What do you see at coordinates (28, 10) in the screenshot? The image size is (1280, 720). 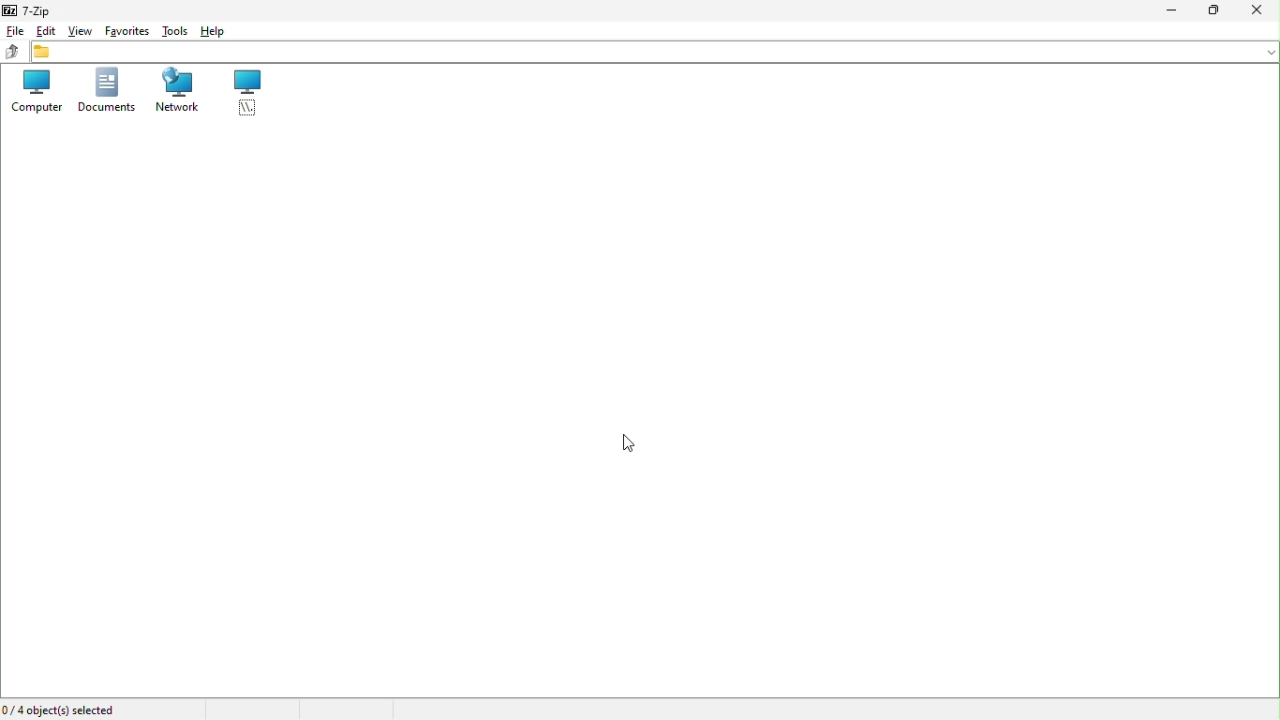 I see `7 zip` at bounding box center [28, 10].